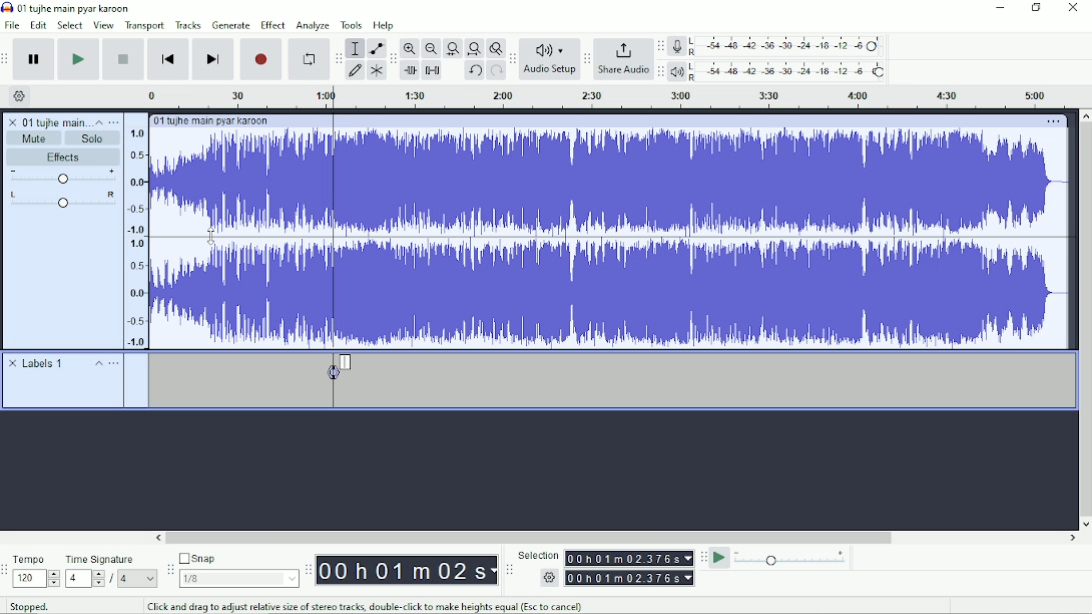  Describe the element at coordinates (314, 26) in the screenshot. I see `Analyze` at that location.